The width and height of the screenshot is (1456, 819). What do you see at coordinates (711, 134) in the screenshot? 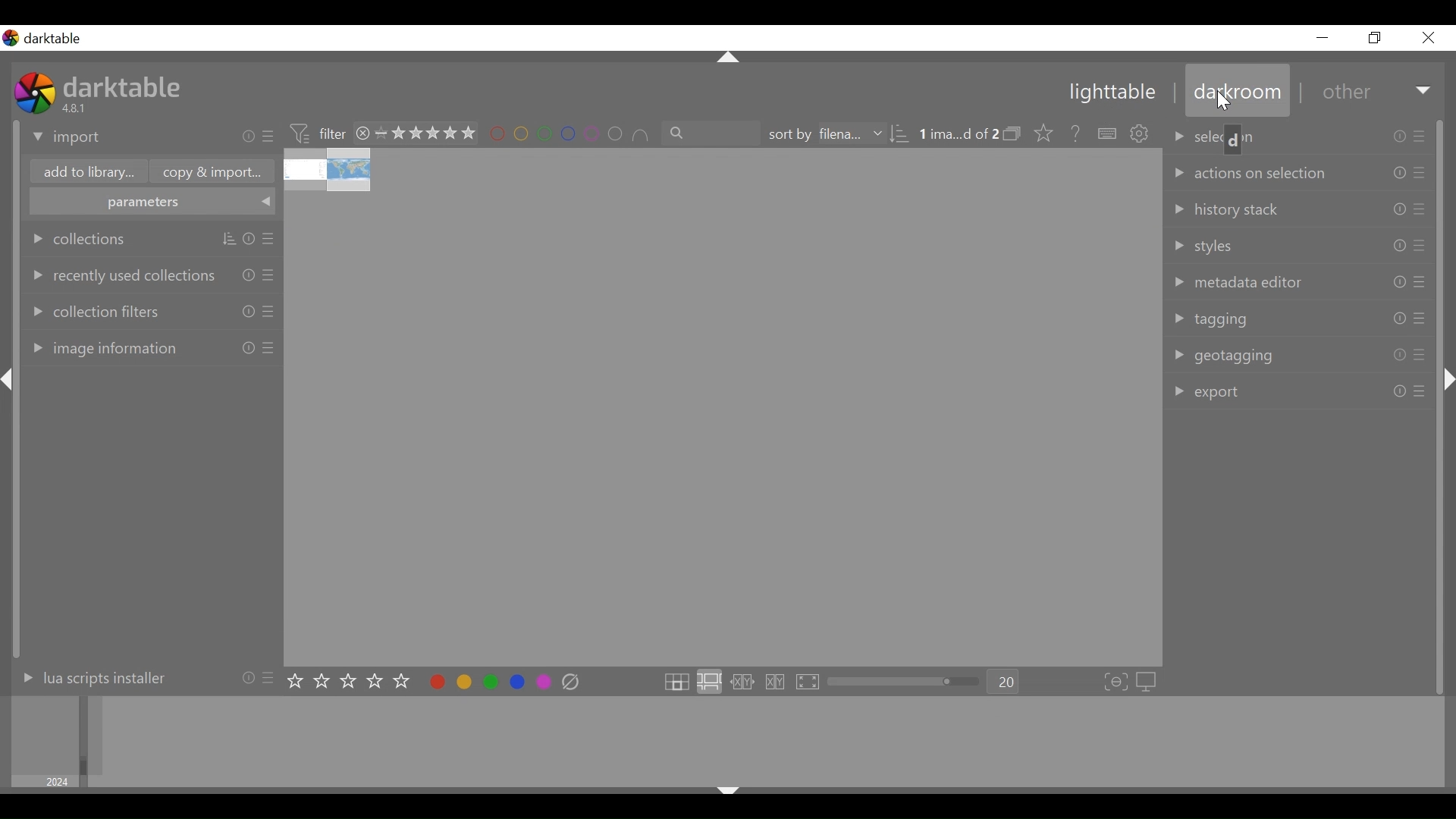
I see `filter by text` at bounding box center [711, 134].